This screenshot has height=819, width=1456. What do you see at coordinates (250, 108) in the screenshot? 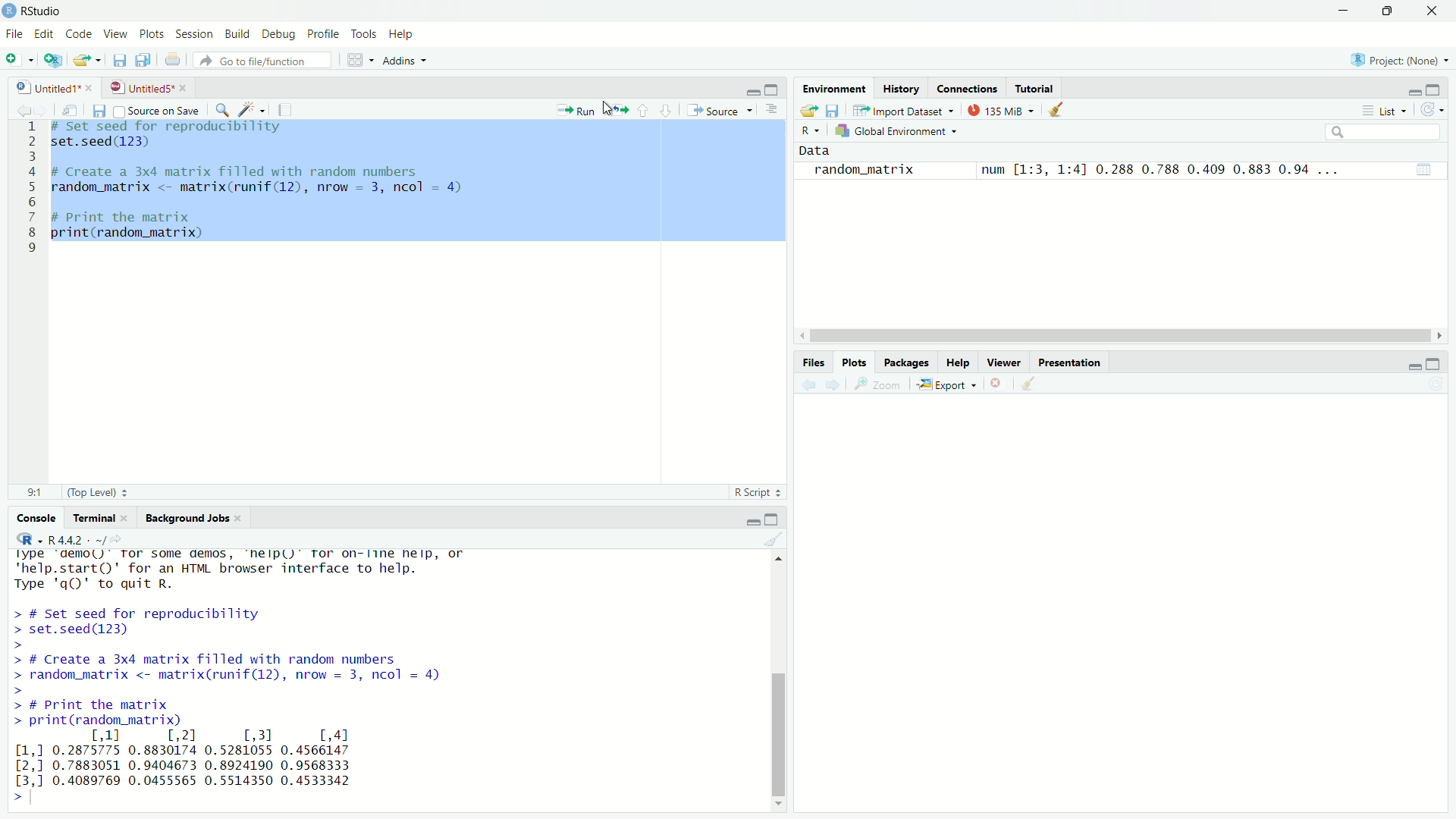
I see `spark` at bounding box center [250, 108].